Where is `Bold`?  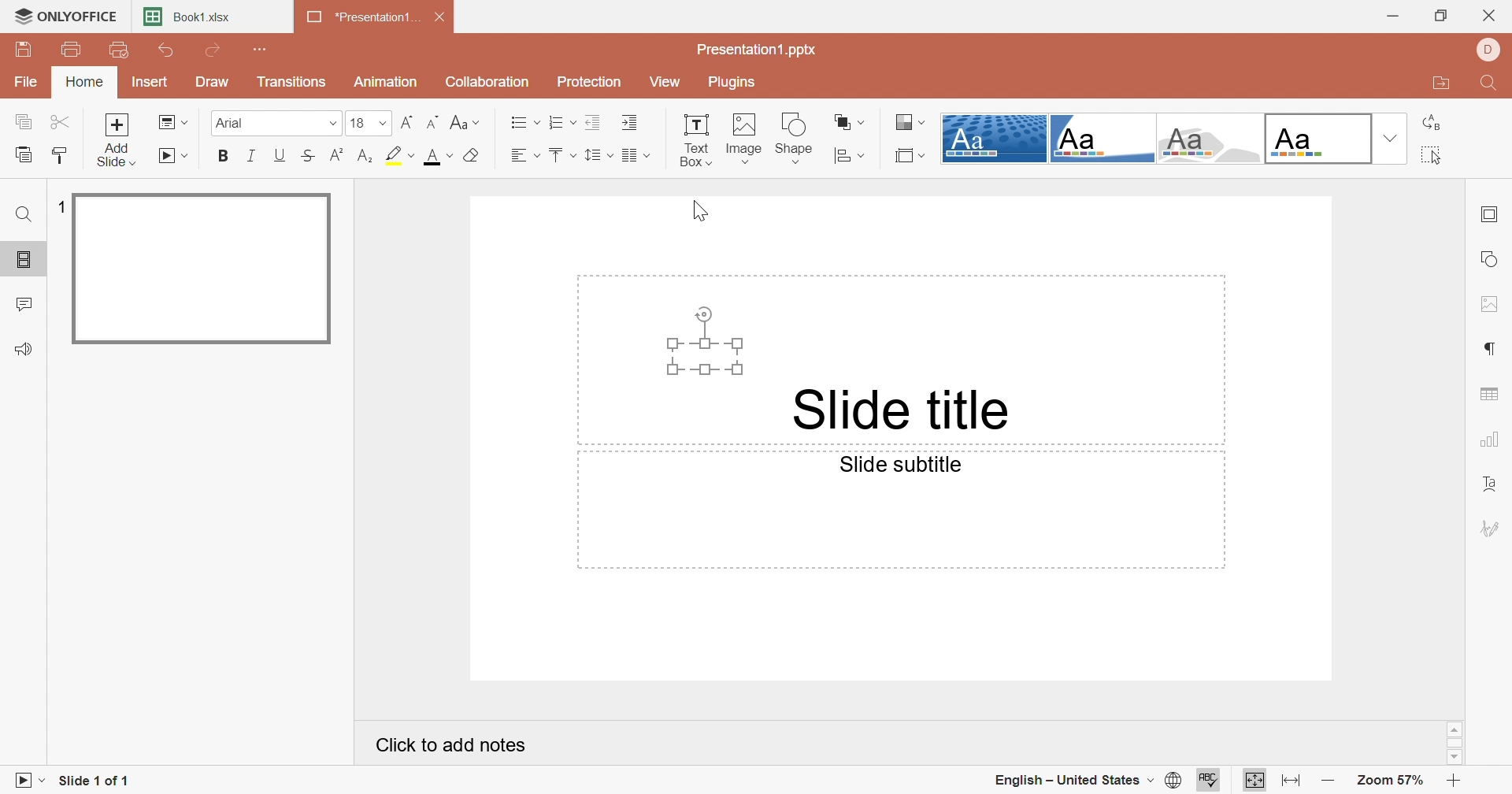 Bold is located at coordinates (223, 157).